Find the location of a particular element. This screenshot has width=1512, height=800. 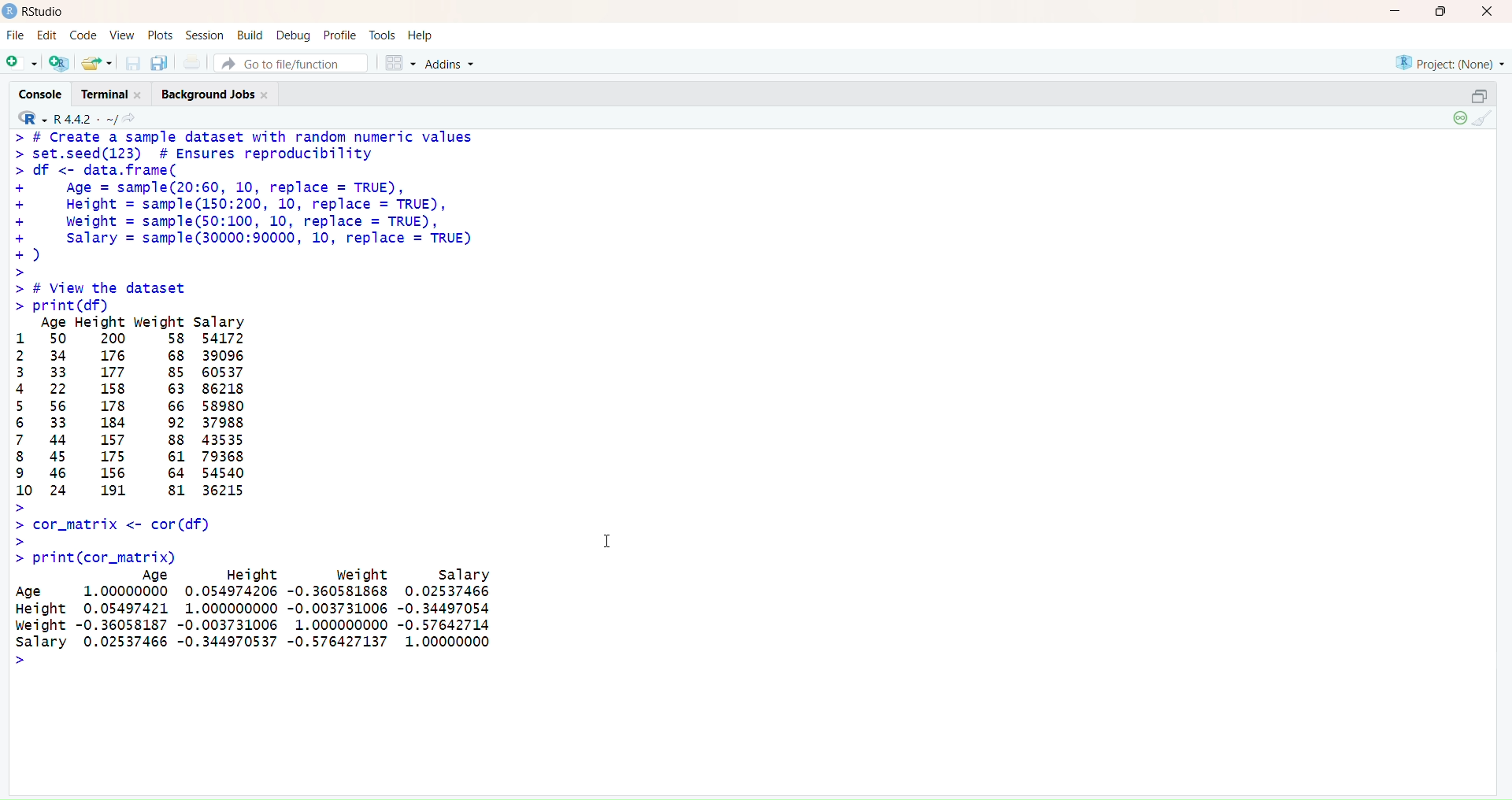

View is located at coordinates (121, 35).